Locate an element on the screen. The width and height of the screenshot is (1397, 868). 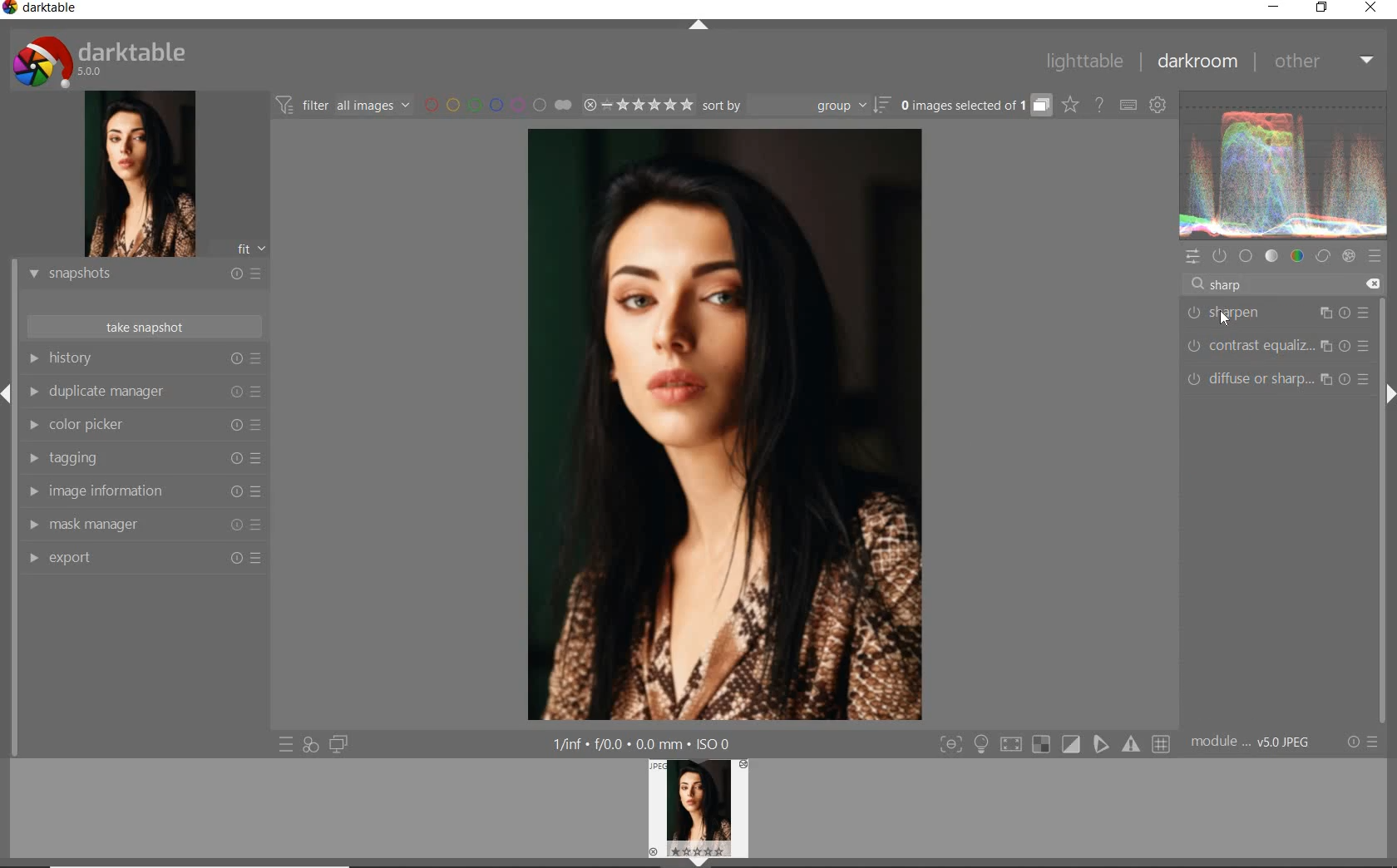
display a second darkroom image window is located at coordinates (339, 743).